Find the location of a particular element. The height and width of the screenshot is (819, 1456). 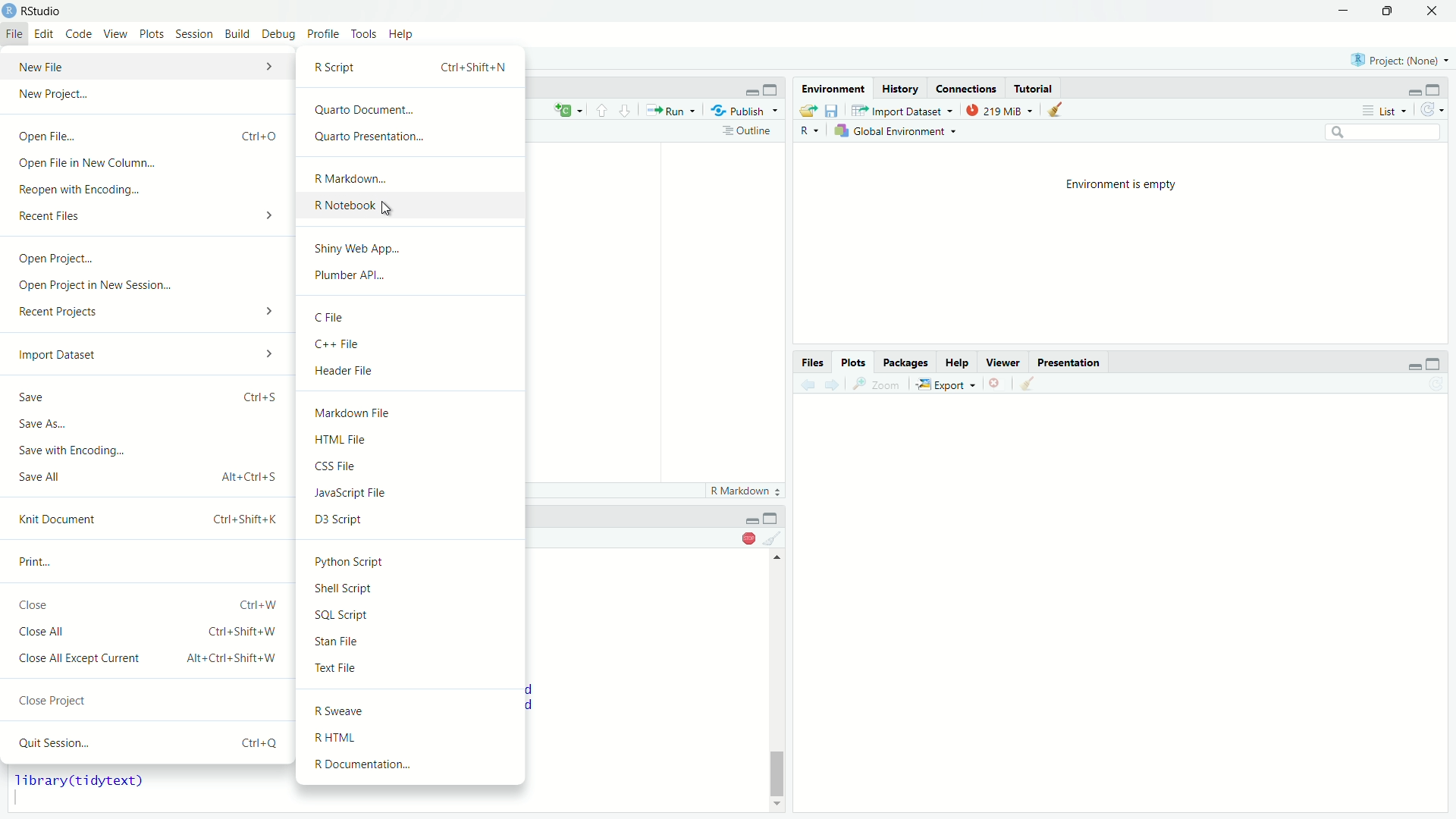

Close Project is located at coordinates (150, 697).